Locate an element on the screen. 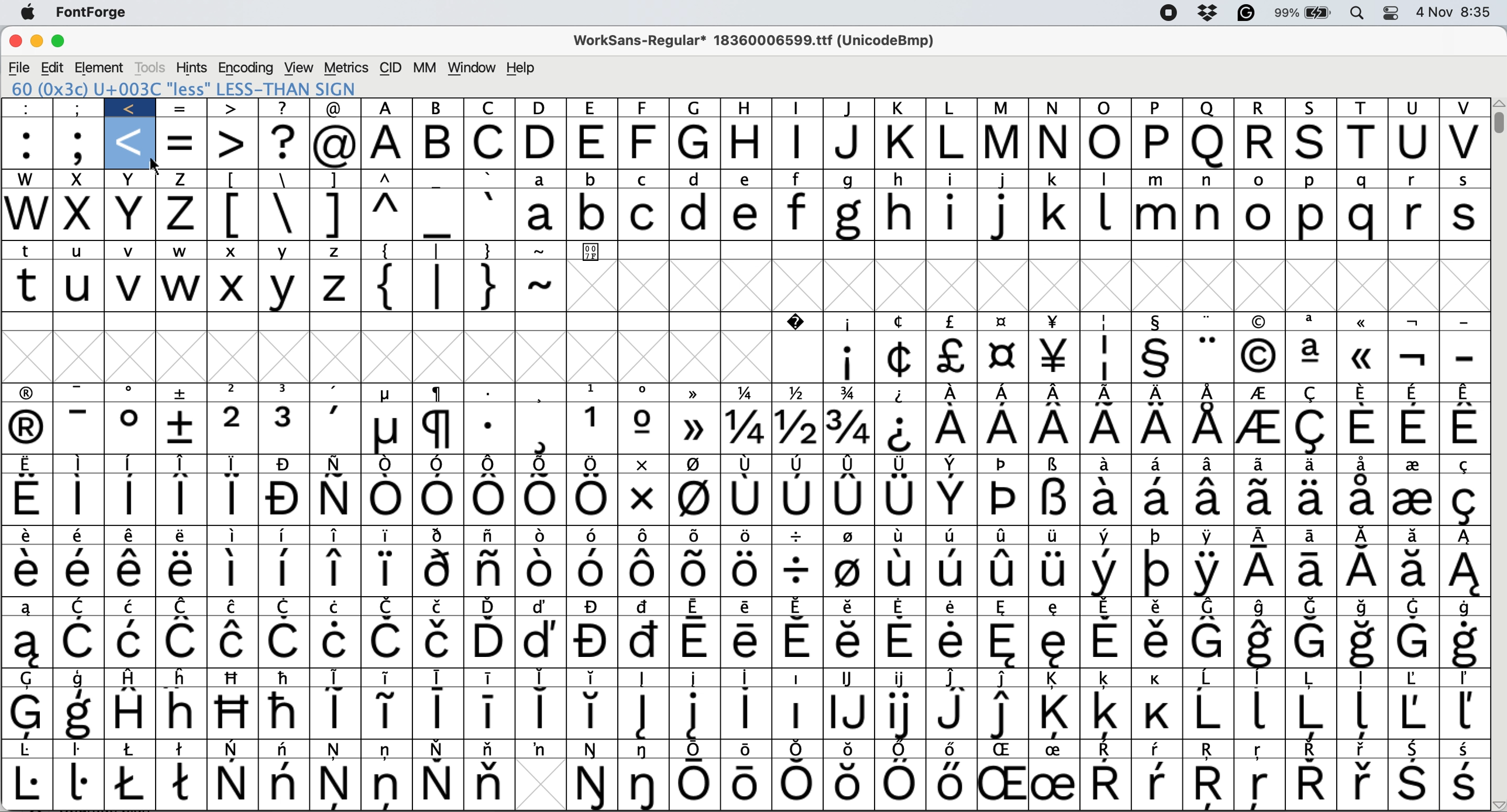 Image resolution: width=1507 pixels, height=812 pixels. Symbol is located at coordinates (1003, 500).